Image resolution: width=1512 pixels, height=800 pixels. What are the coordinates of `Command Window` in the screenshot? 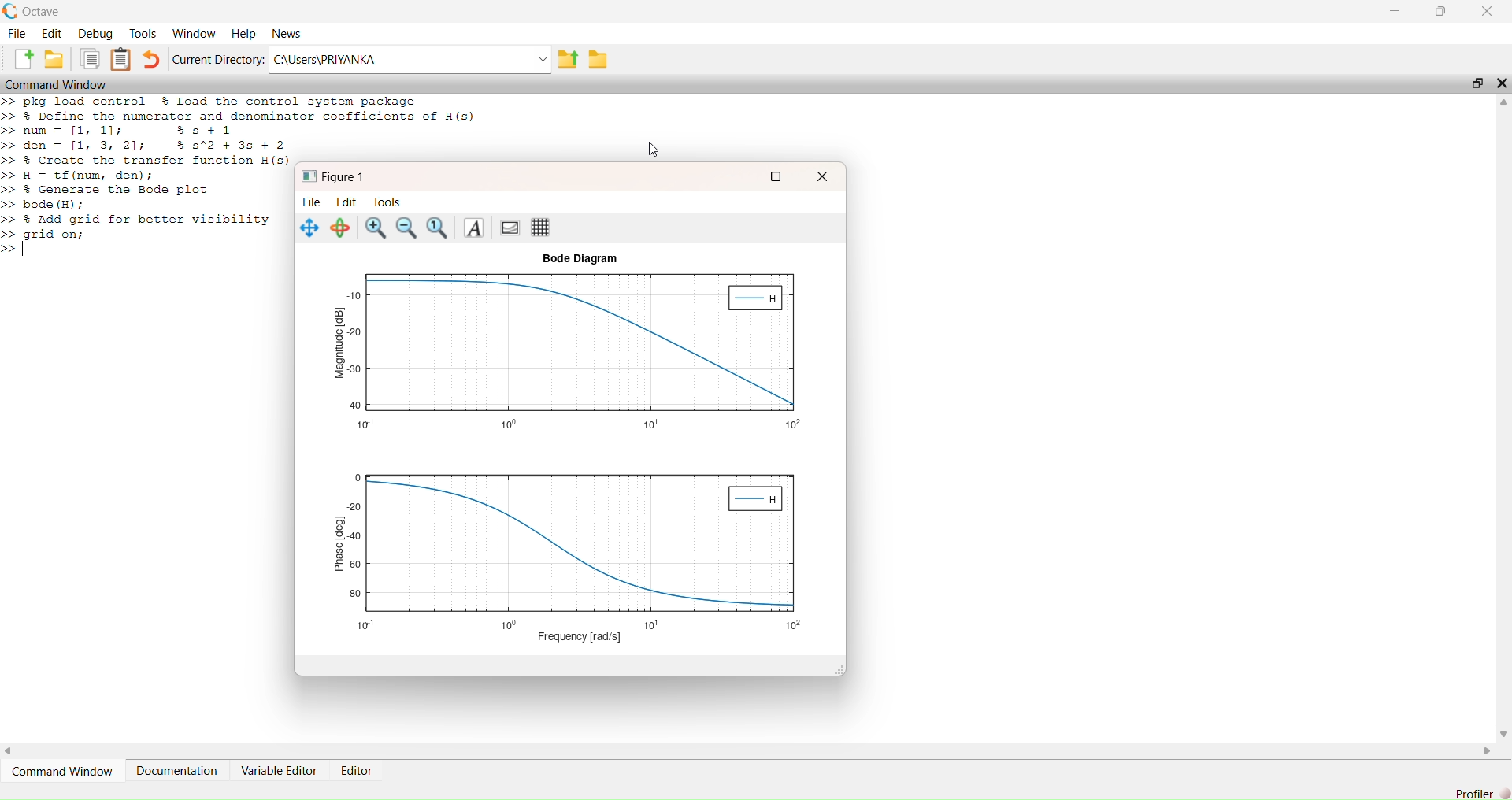 It's located at (61, 770).